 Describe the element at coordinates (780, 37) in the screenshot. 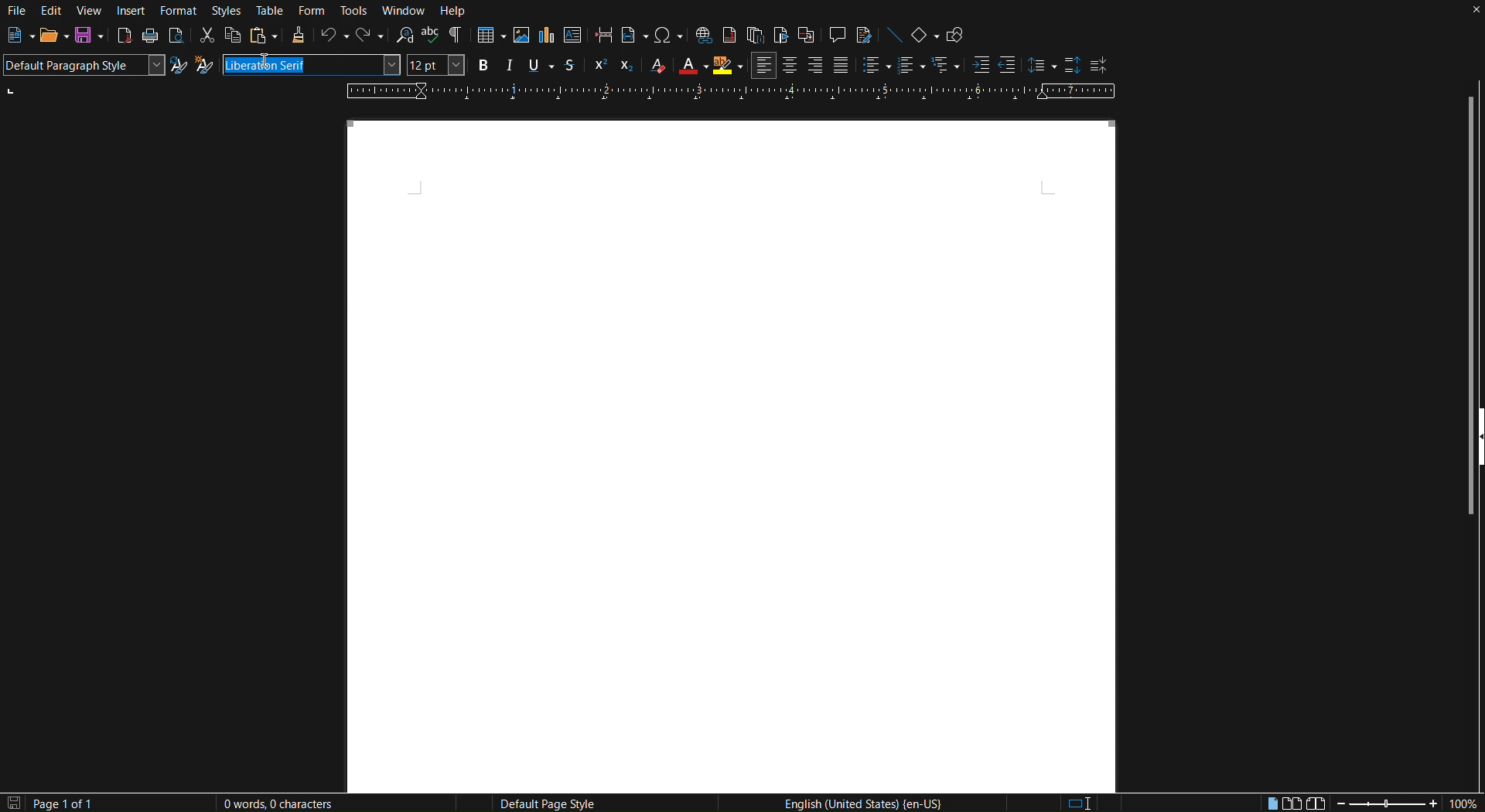

I see `Insert Bookmark` at that location.